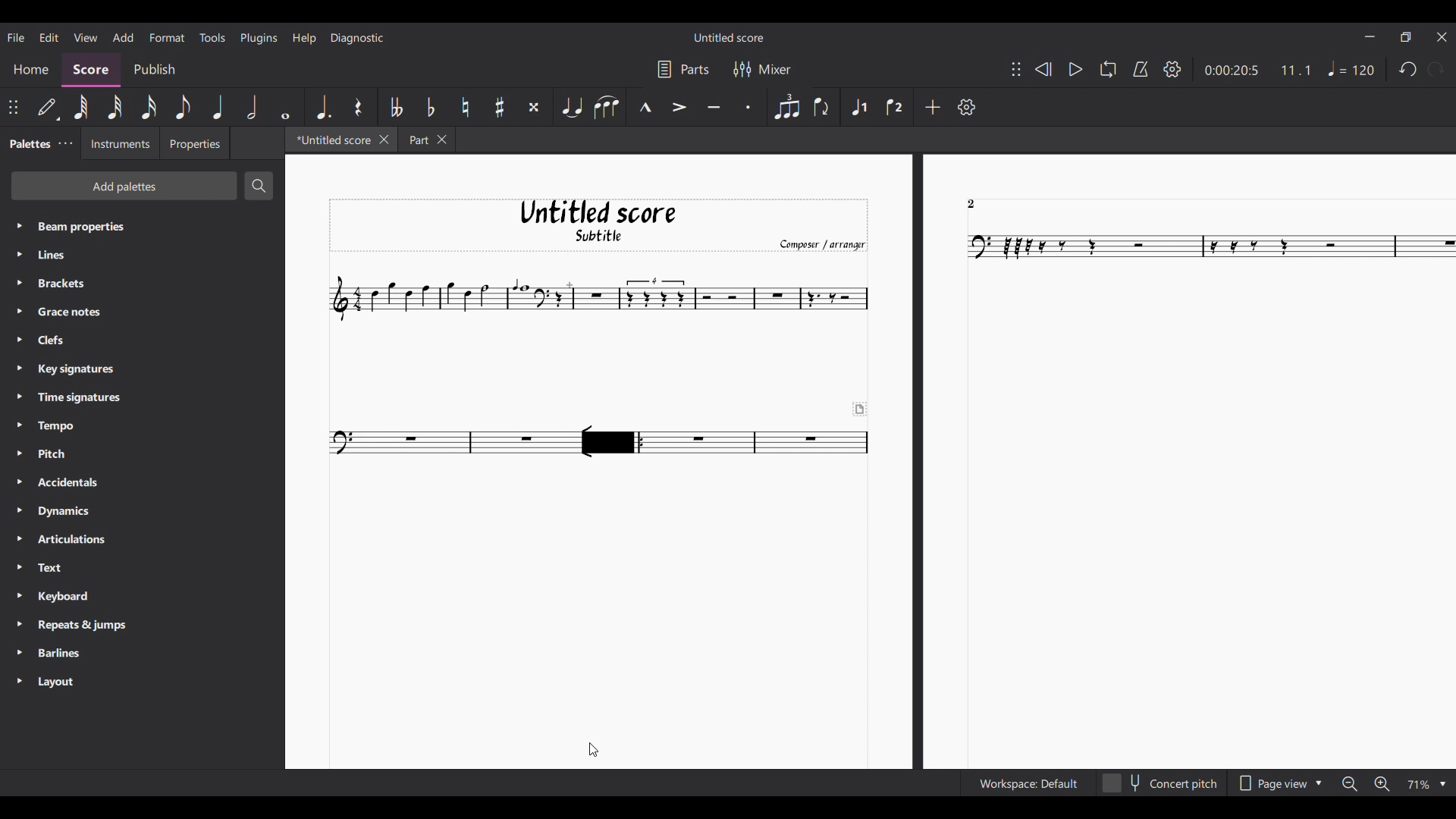 Image resolution: width=1456 pixels, height=819 pixels. Describe the element at coordinates (1016, 69) in the screenshot. I see `Change position of toolbar` at that location.